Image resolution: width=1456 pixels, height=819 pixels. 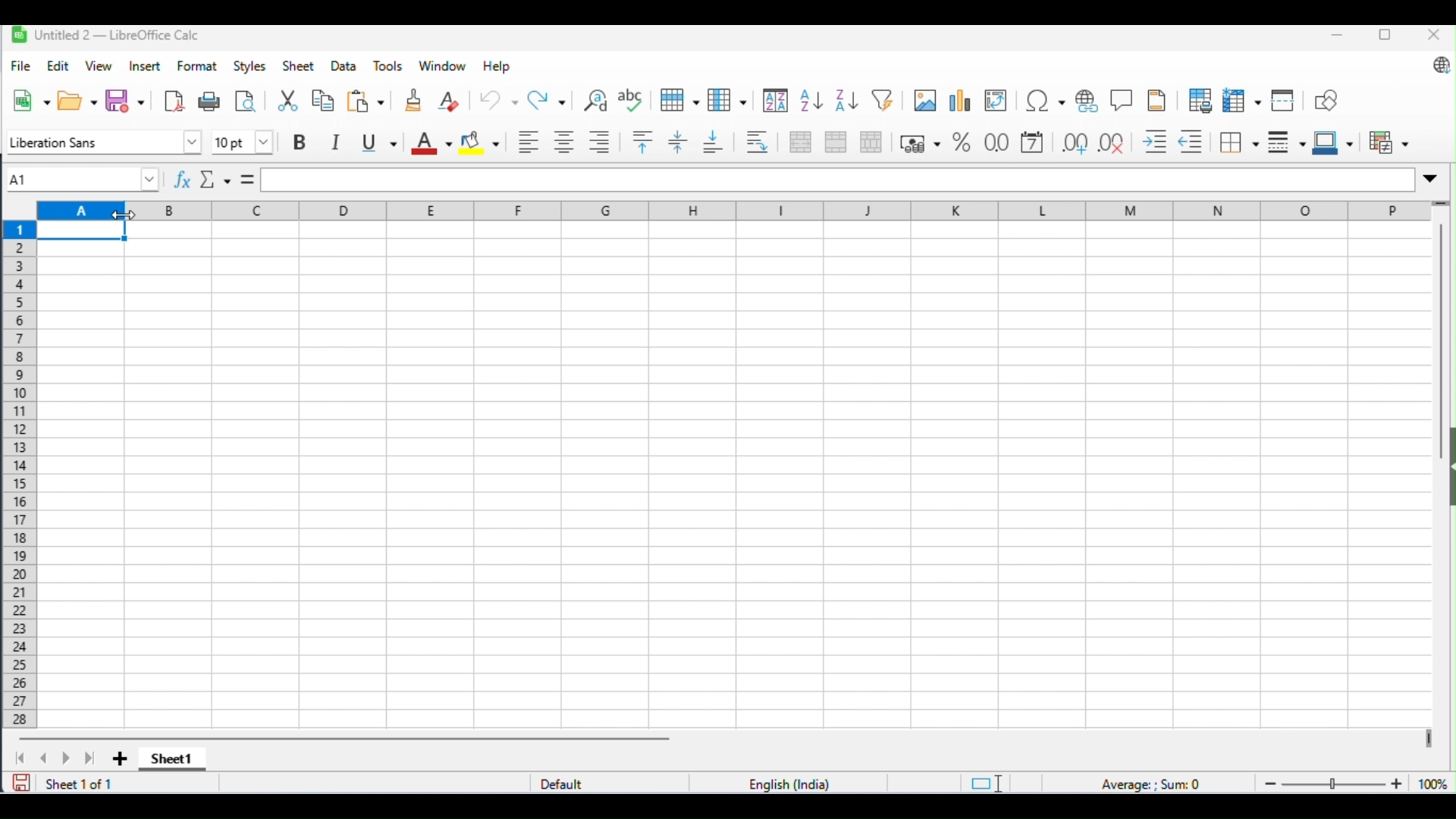 I want to click on underline, so click(x=378, y=140).